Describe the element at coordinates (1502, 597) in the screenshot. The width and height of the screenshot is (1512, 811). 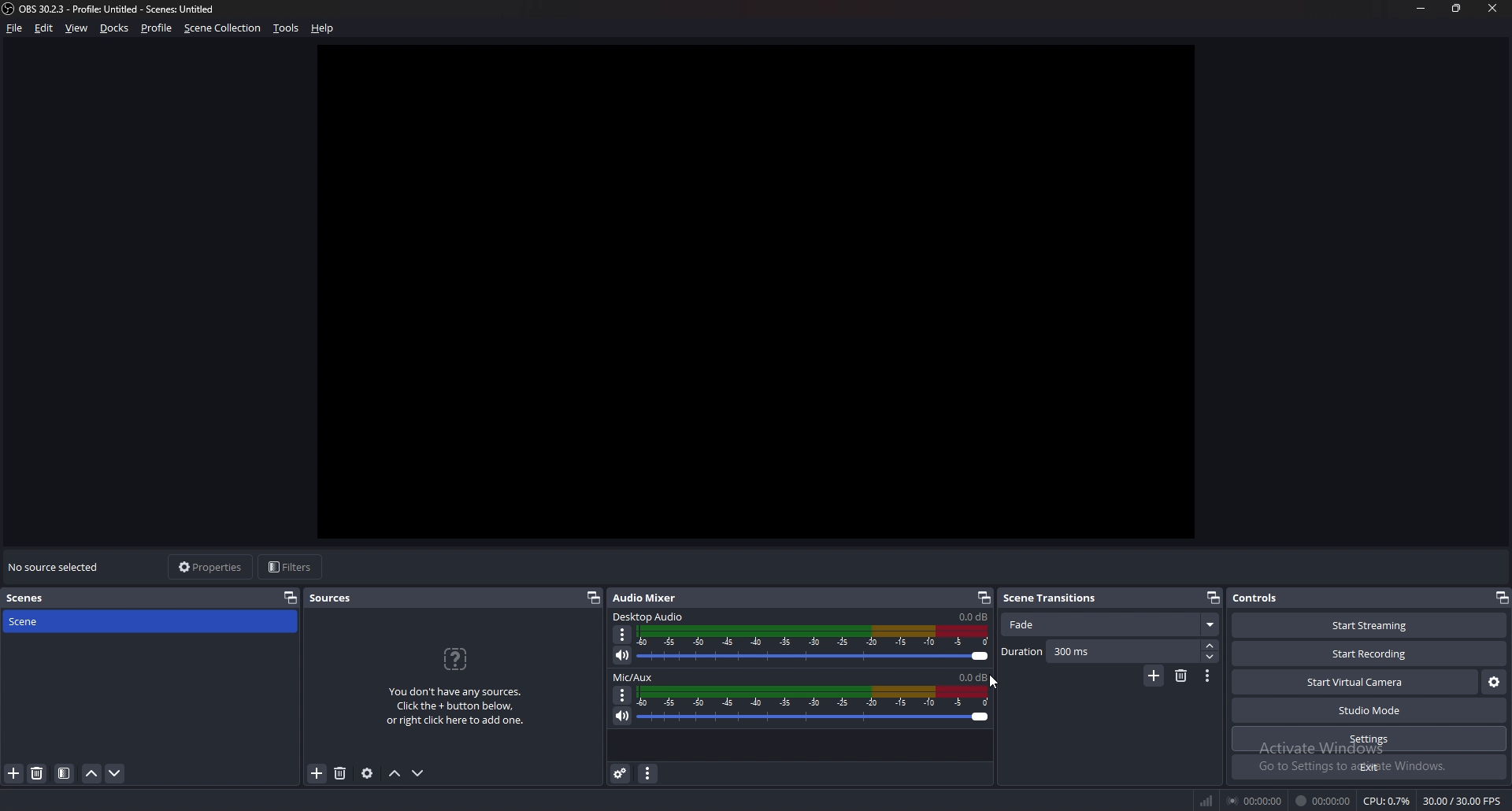
I see `pop out` at that location.